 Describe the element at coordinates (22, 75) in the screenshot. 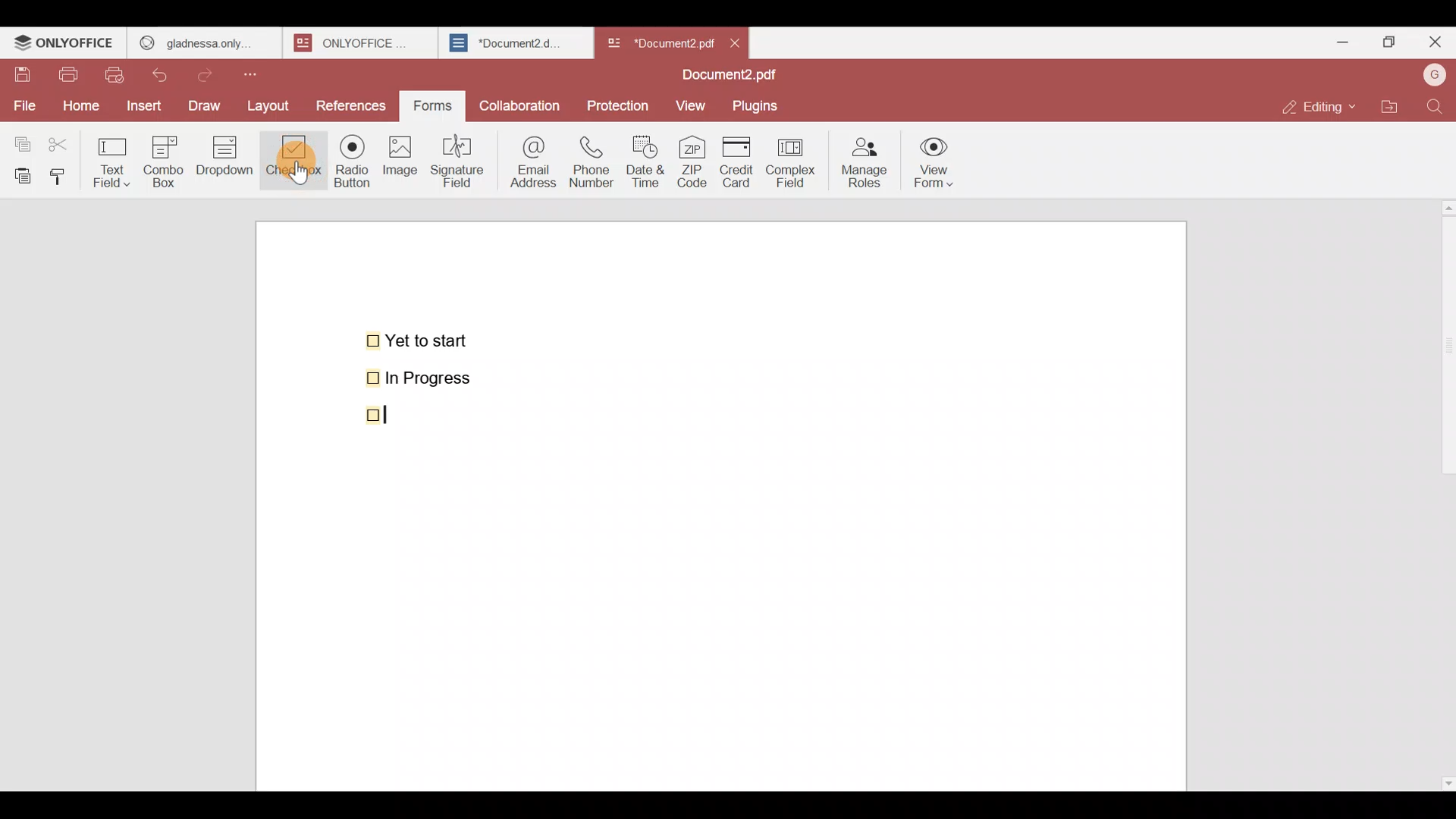

I see `Save` at that location.